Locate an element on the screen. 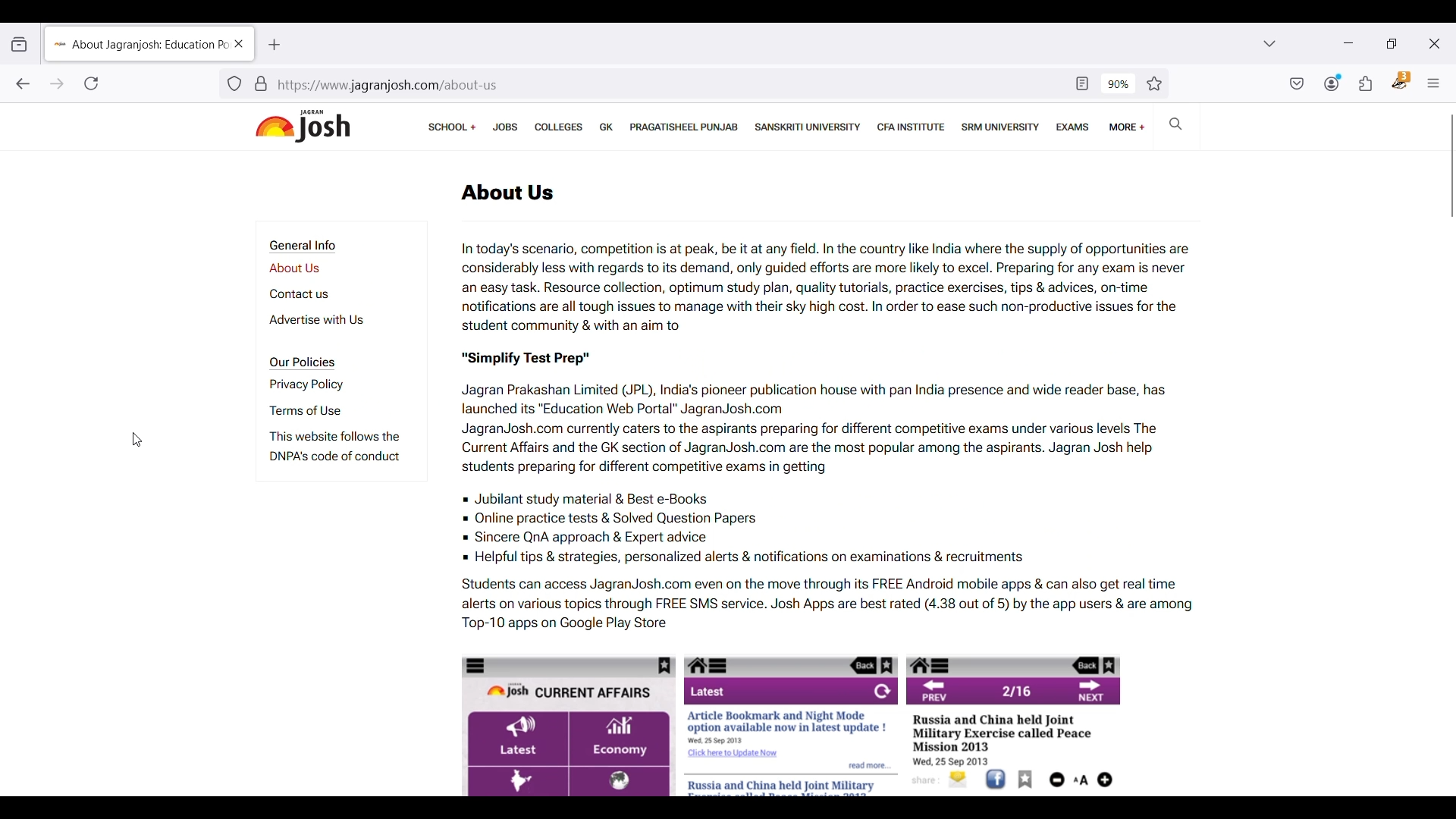 This screenshot has width=1456, height=819. Close interface is located at coordinates (1434, 43).